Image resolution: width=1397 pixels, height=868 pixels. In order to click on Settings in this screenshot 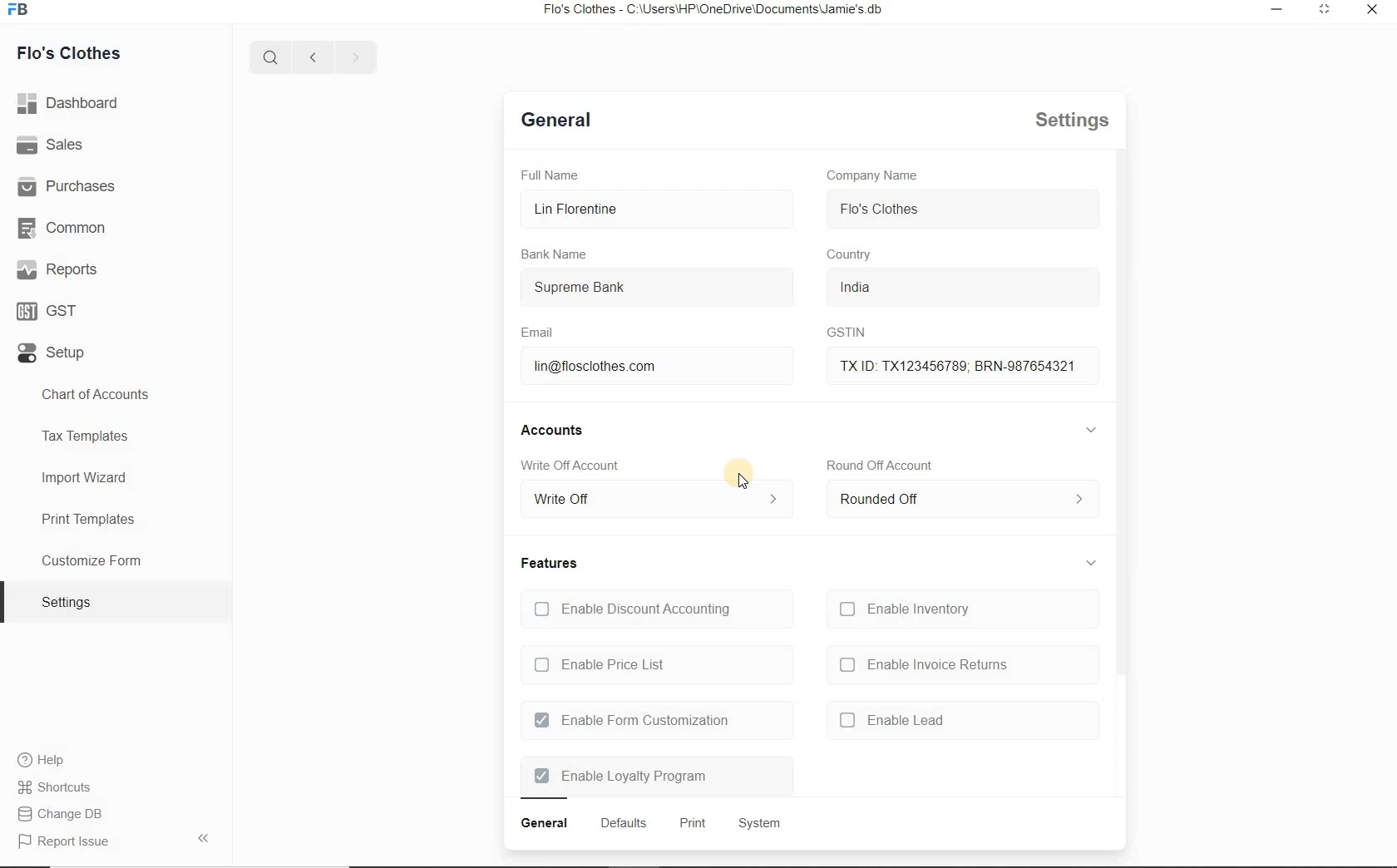, I will do `click(116, 601)`.